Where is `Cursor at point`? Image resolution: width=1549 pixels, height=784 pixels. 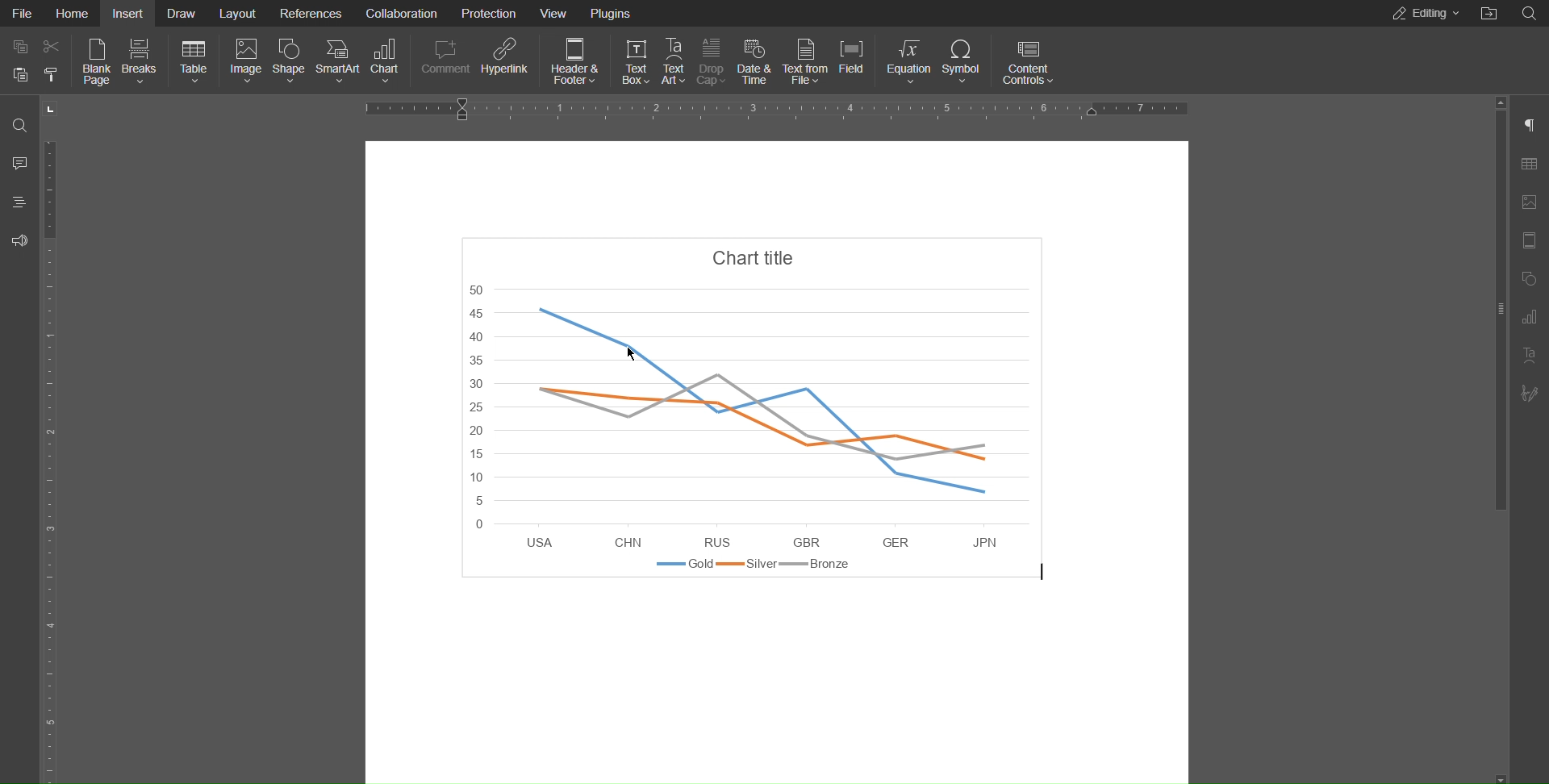
Cursor at point is located at coordinates (633, 356).